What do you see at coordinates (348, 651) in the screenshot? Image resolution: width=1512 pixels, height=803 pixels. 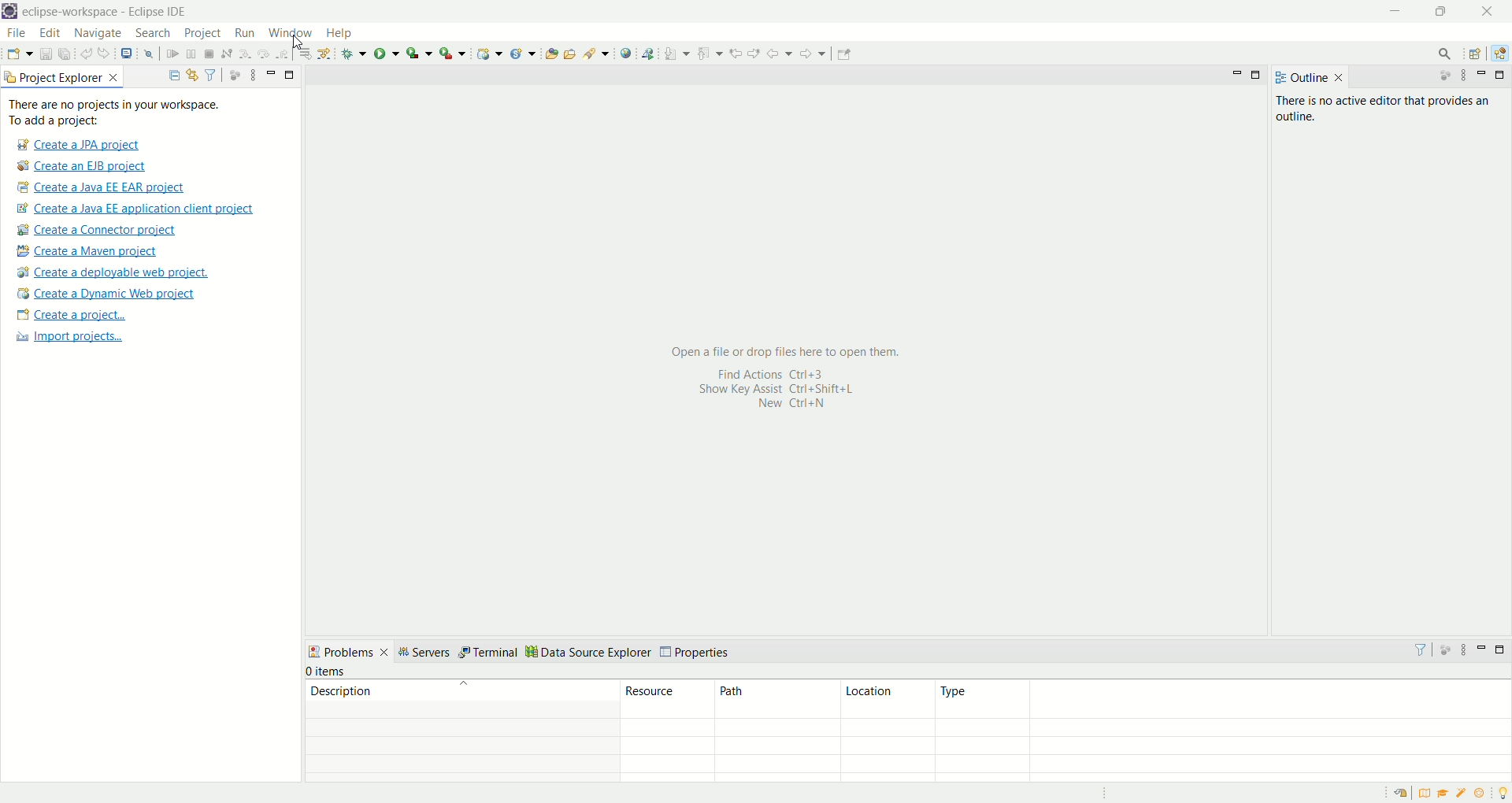 I see `problems` at bounding box center [348, 651].